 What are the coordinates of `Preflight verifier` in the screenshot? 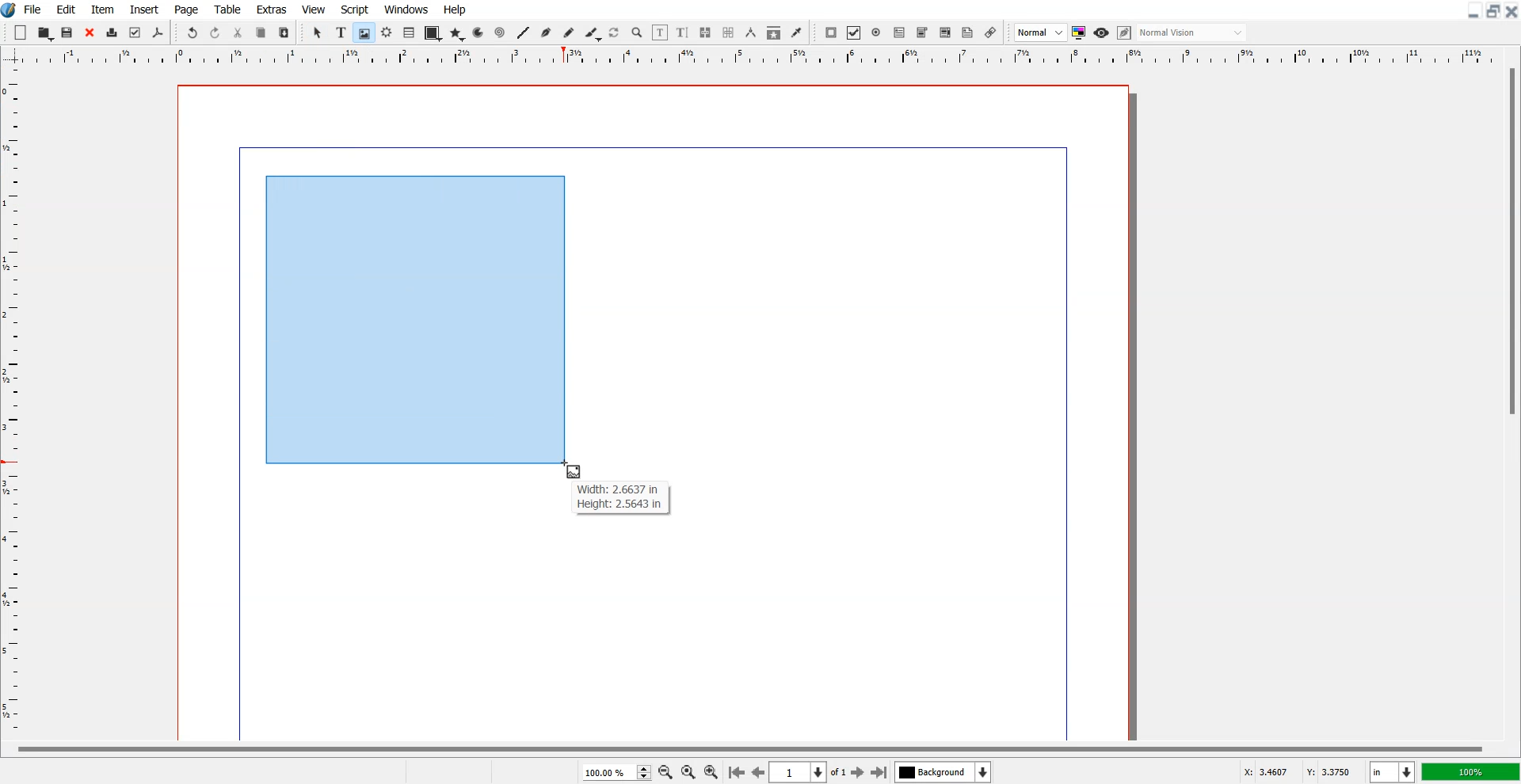 It's located at (135, 33).